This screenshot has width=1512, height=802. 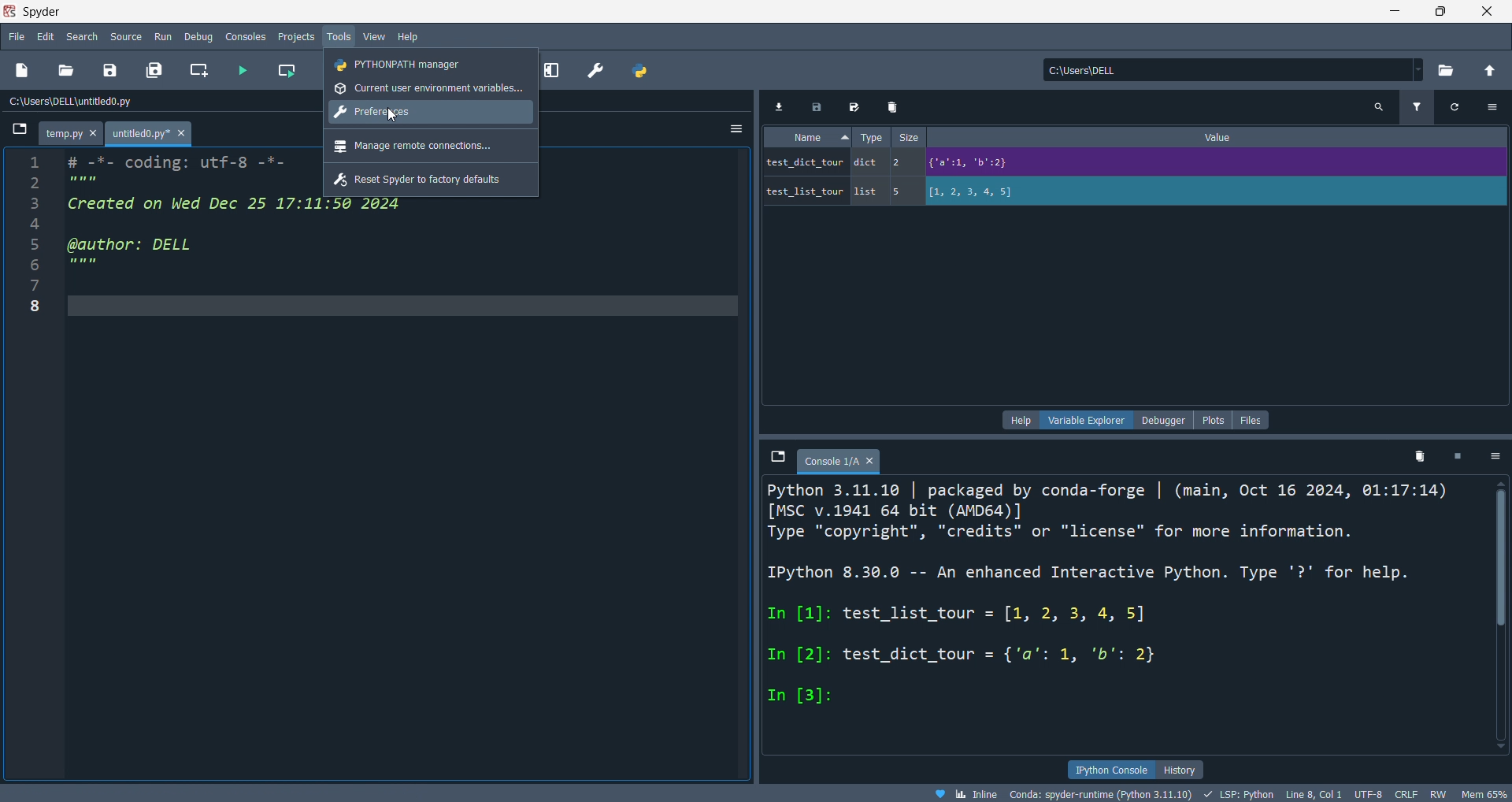 What do you see at coordinates (39, 309) in the screenshot?
I see `8` at bounding box center [39, 309].